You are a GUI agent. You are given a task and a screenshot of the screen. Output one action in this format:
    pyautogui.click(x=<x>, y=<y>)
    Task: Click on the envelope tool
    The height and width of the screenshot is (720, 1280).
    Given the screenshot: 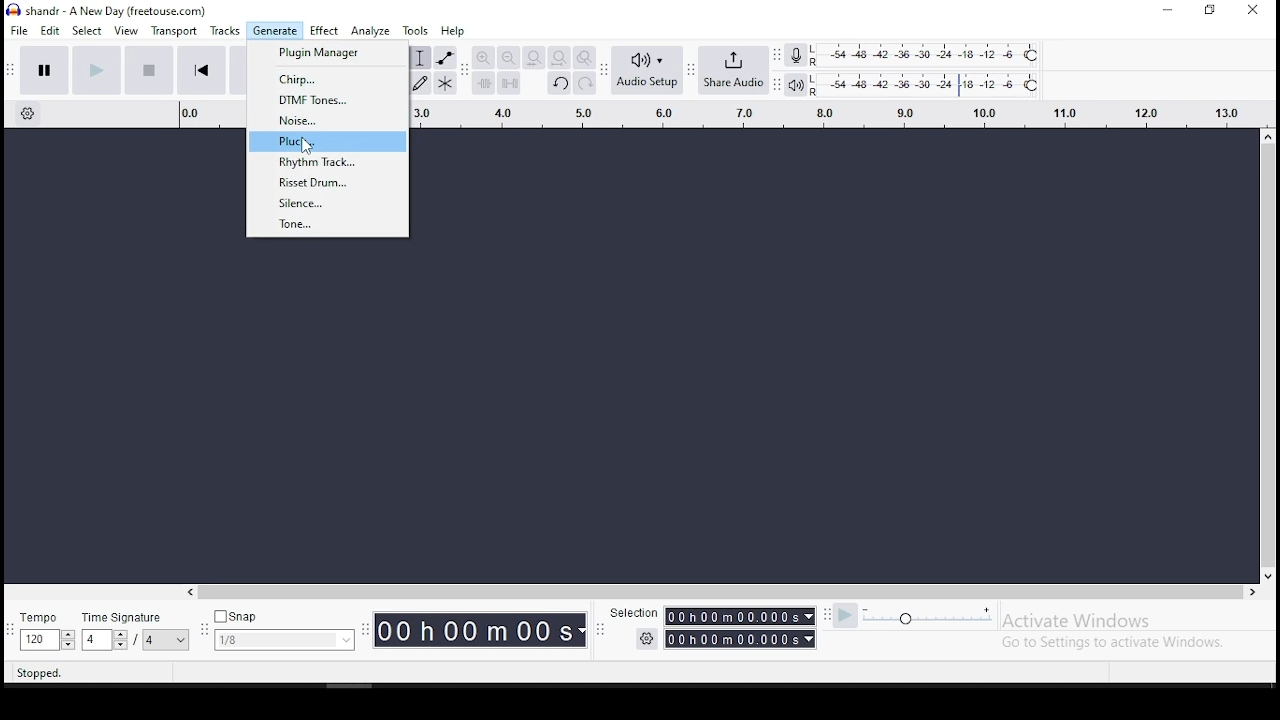 What is the action you would take?
    pyautogui.click(x=445, y=57)
    